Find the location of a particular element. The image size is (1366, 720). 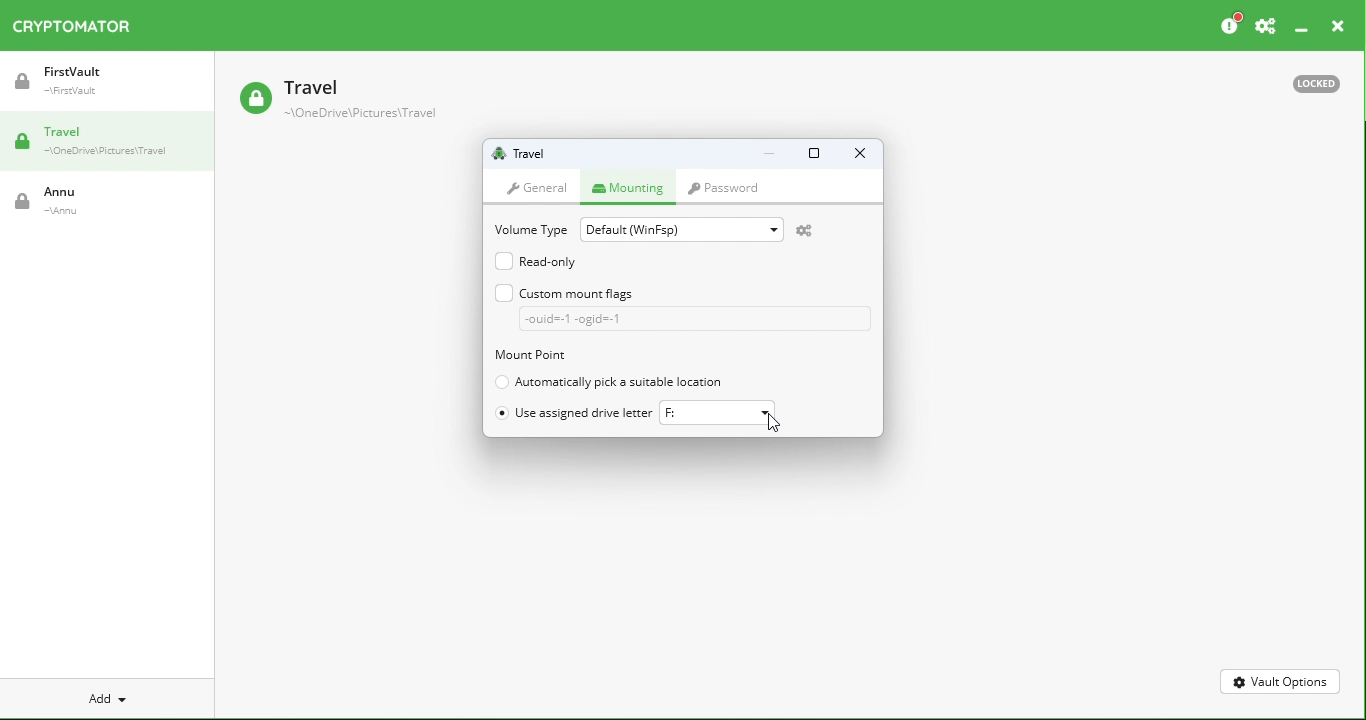

Please consider donating is located at coordinates (1229, 23).